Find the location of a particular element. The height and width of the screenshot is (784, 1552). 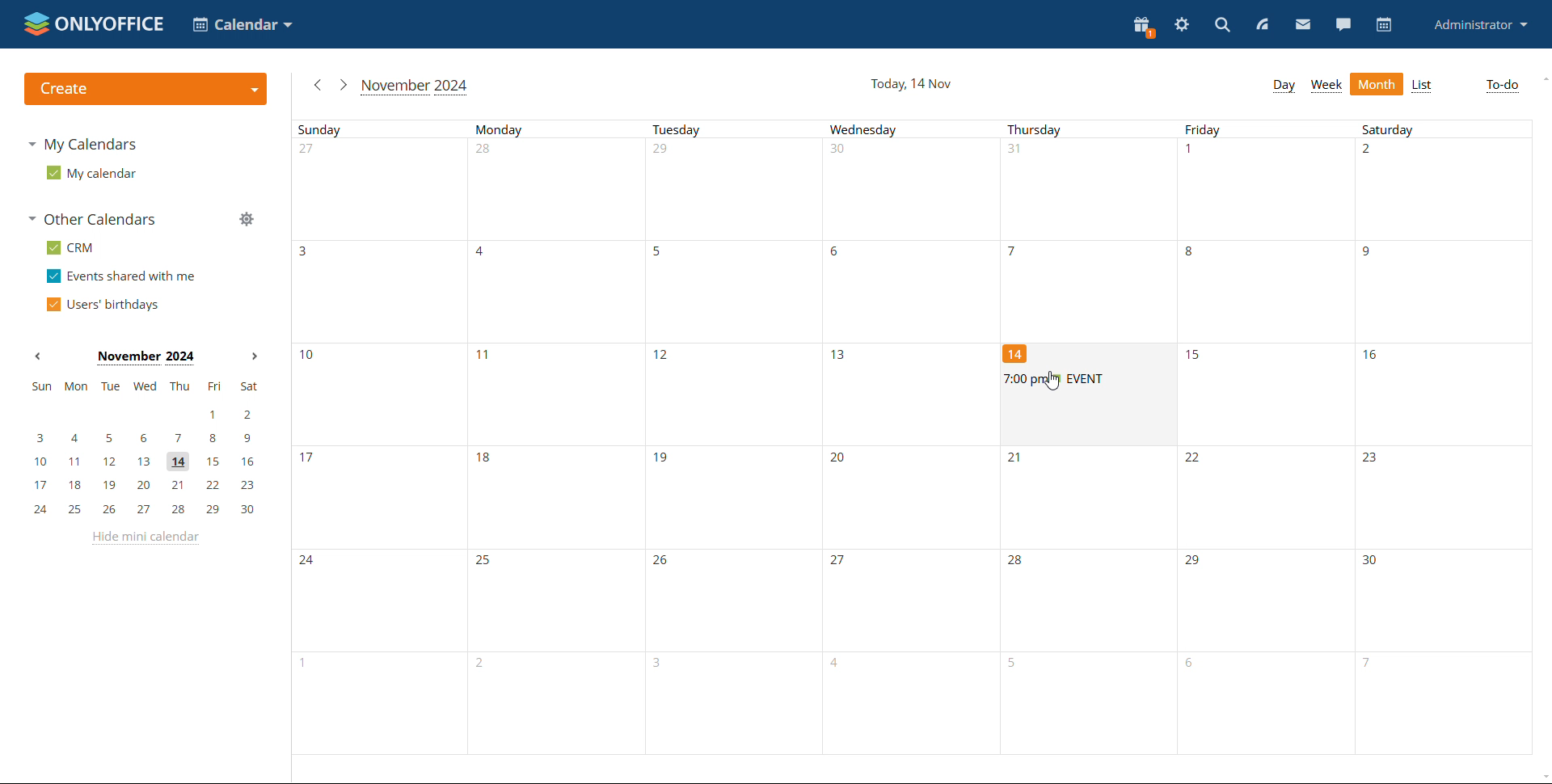

logo is located at coordinates (147, 89).